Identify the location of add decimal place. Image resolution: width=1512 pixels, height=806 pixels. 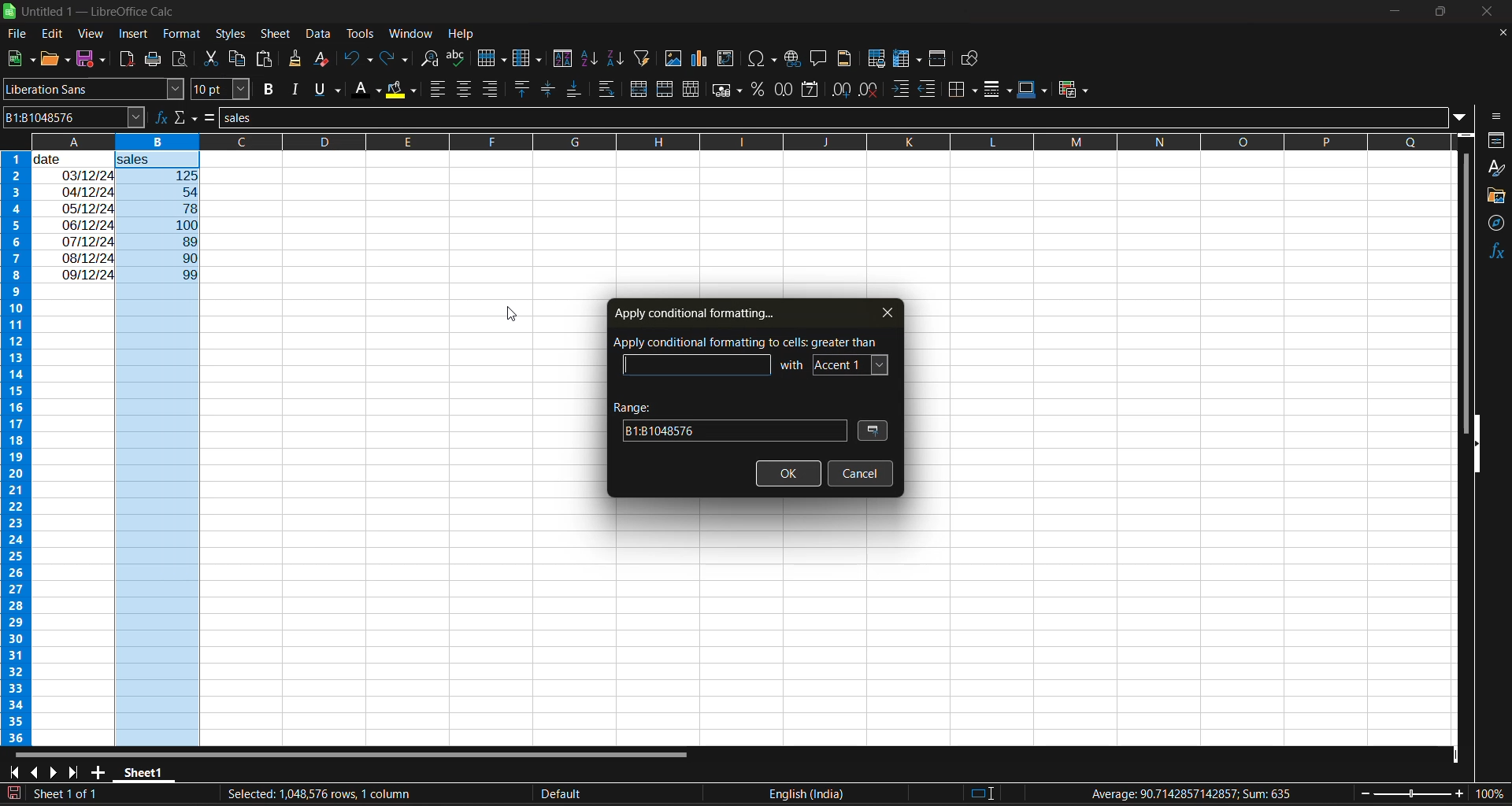
(839, 91).